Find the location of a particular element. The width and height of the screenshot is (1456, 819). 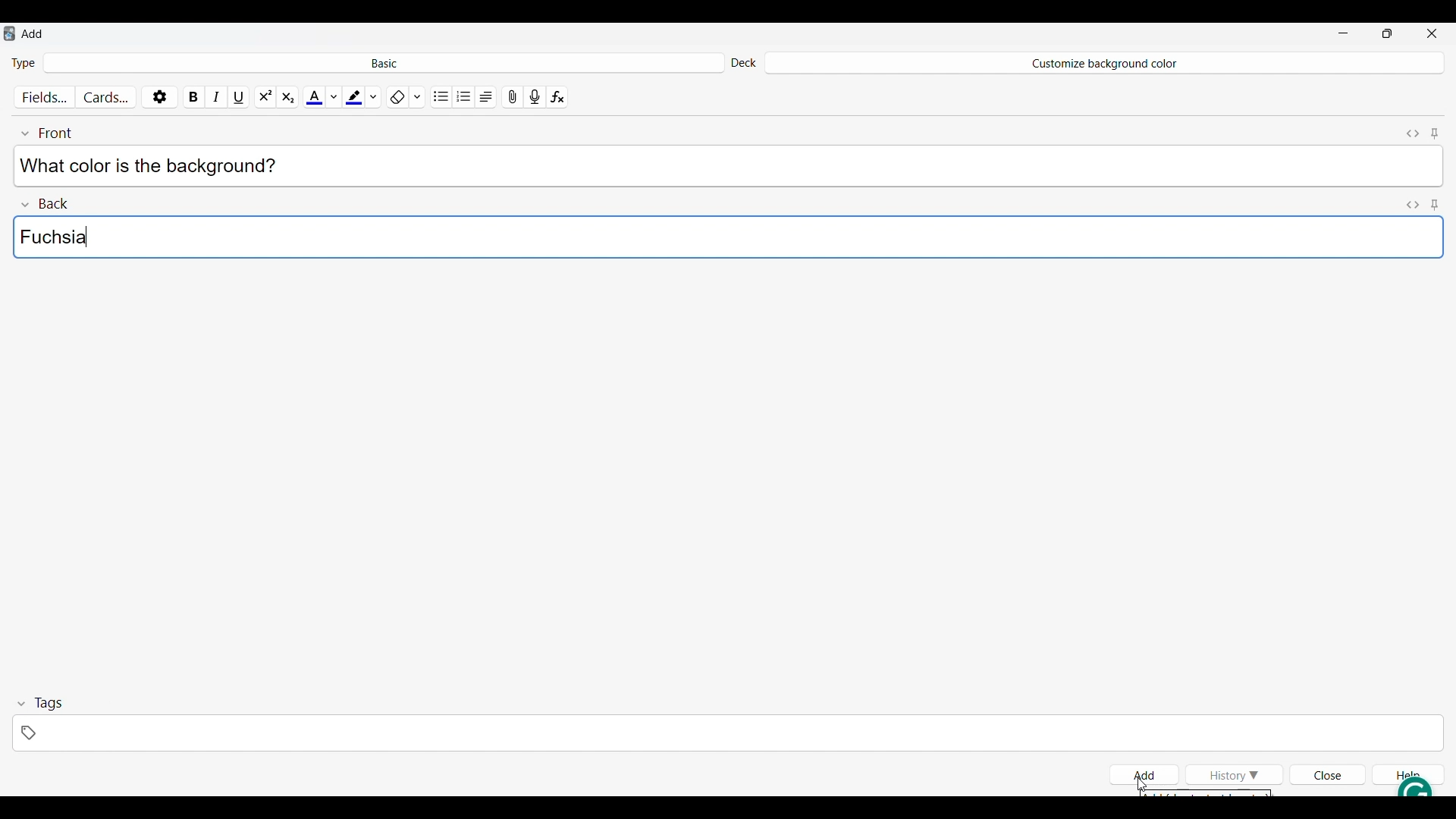

Sub script is located at coordinates (287, 95).